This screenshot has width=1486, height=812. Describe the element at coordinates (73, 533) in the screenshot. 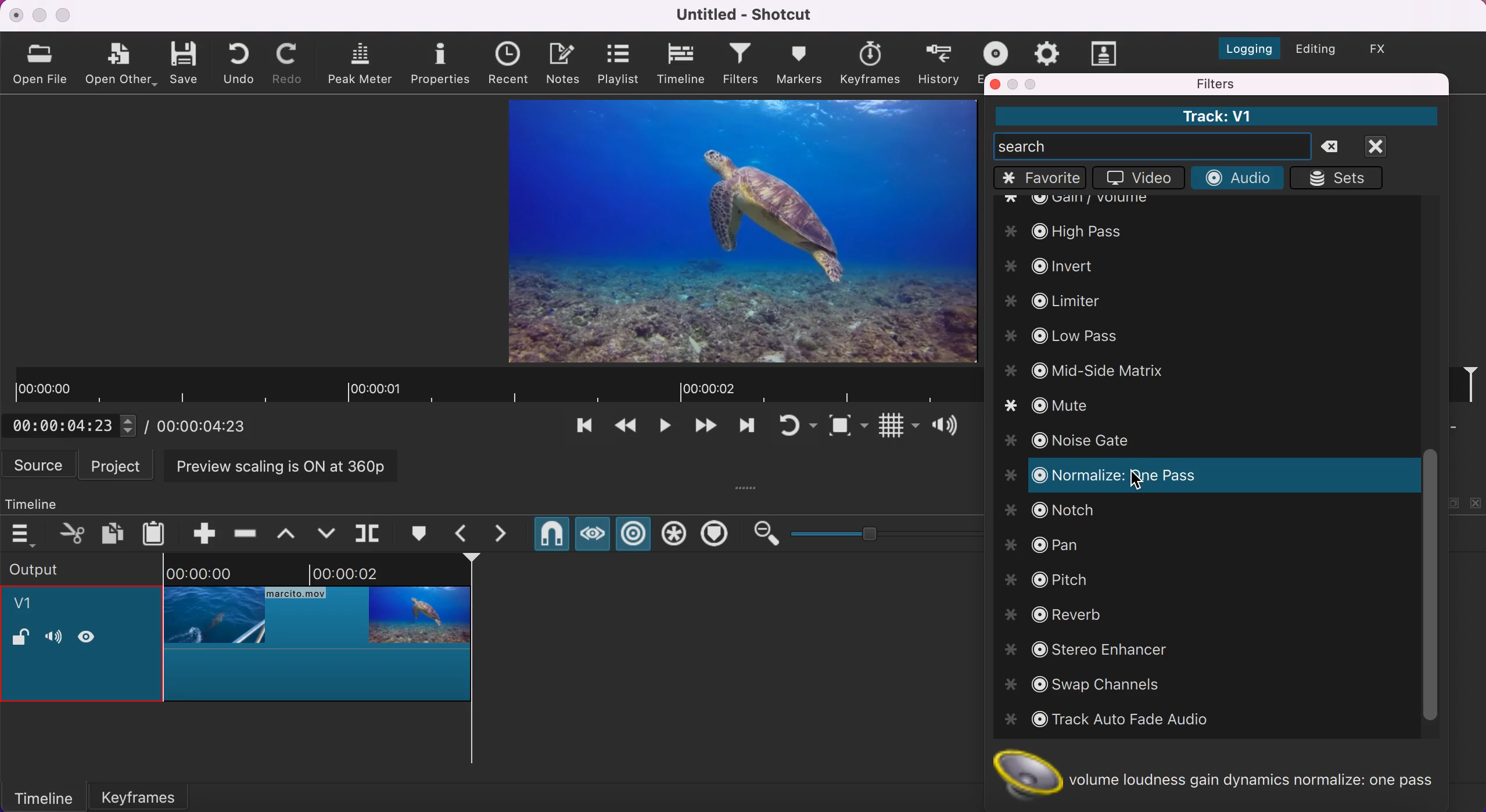

I see `cut` at that location.